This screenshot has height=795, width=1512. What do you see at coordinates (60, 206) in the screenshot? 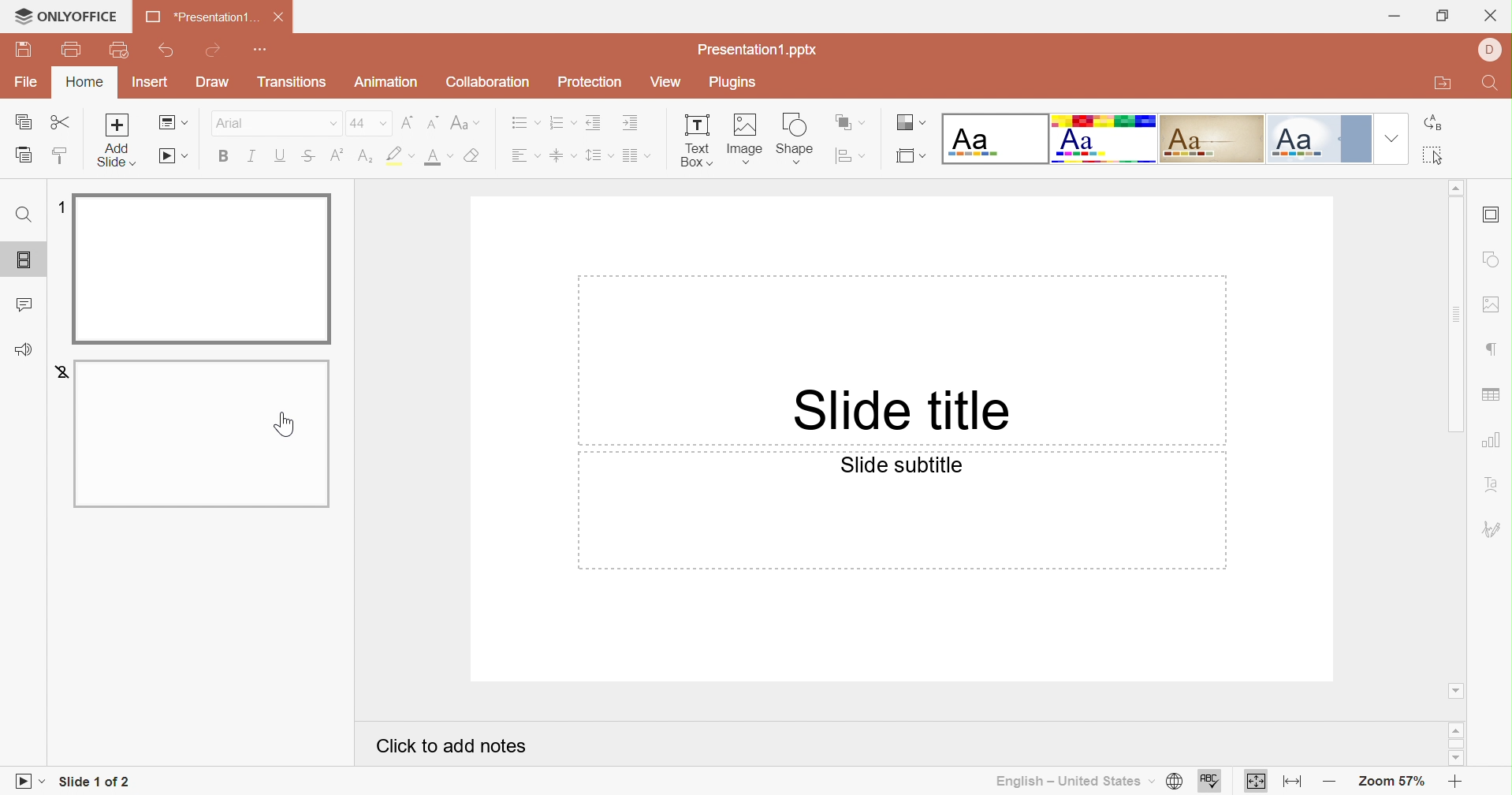
I see `1` at bounding box center [60, 206].